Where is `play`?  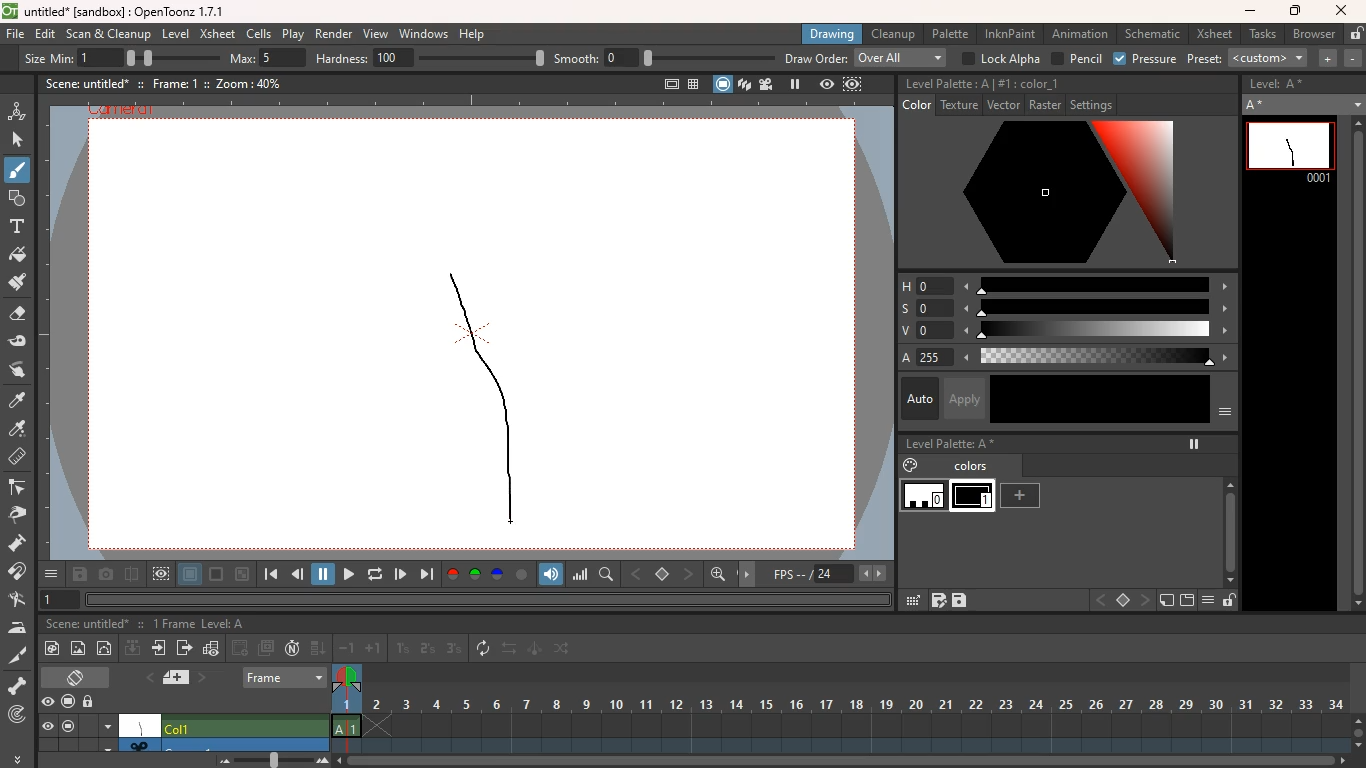
play is located at coordinates (401, 573).